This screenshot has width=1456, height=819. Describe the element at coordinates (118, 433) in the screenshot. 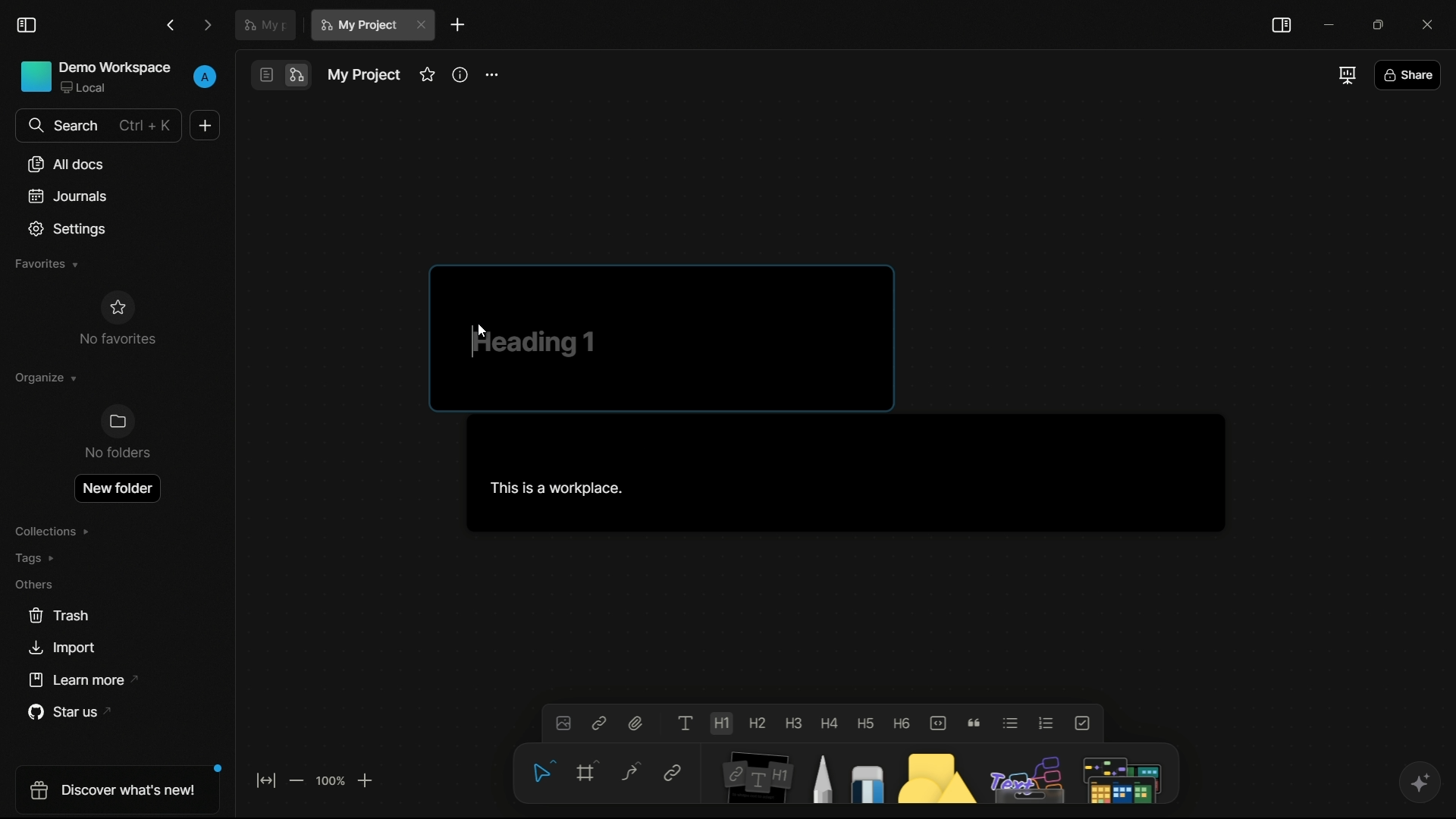

I see `no folders` at that location.